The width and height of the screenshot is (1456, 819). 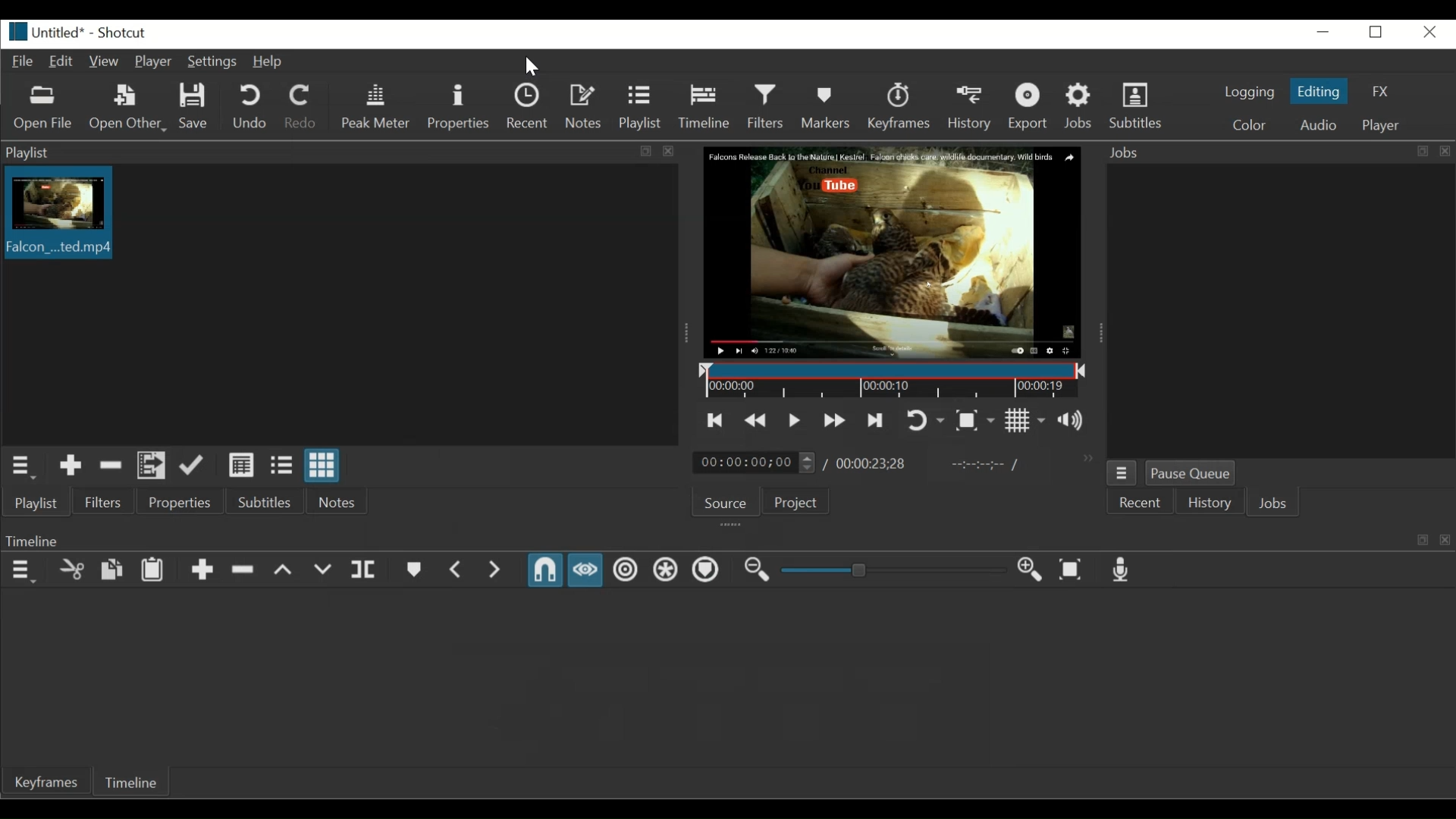 What do you see at coordinates (1143, 504) in the screenshot?
I see `Recent` at bounding box center [1143, 504].